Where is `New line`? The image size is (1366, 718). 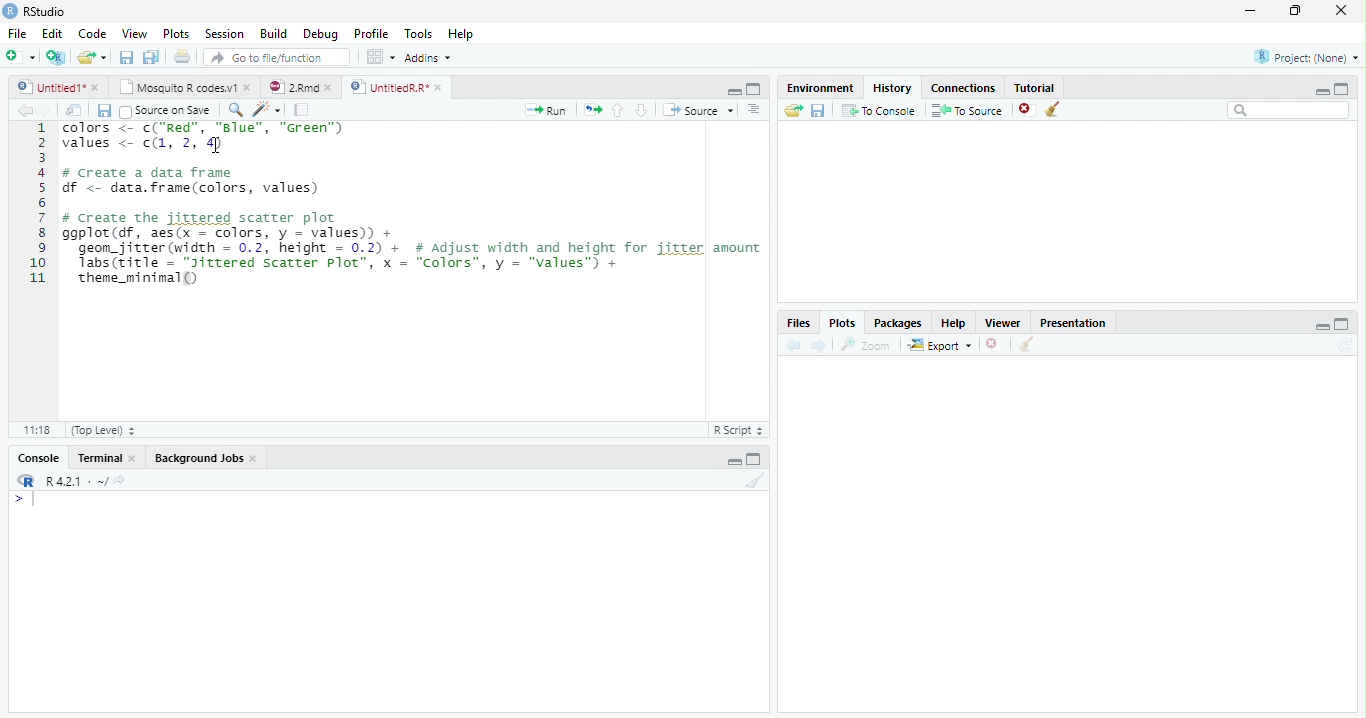
New line is located at coordinates (24, 499).